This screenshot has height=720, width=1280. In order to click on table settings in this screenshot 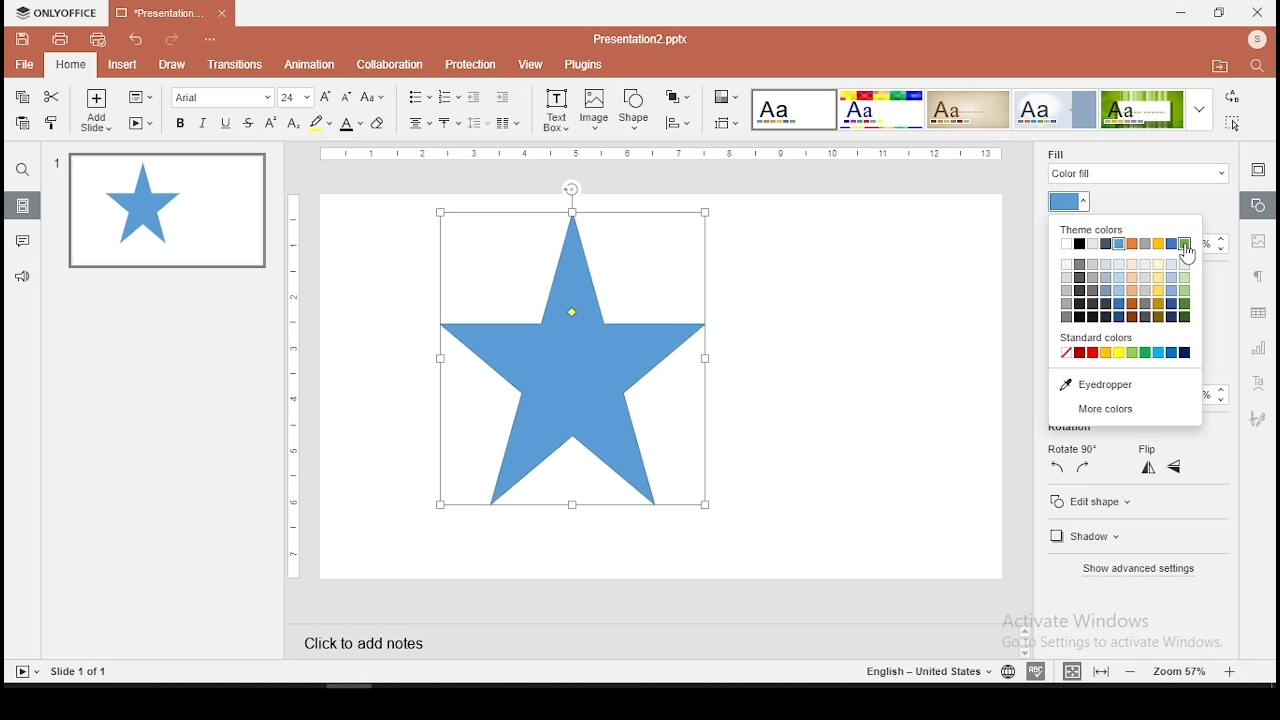, I will do `click(1258, 312)`.